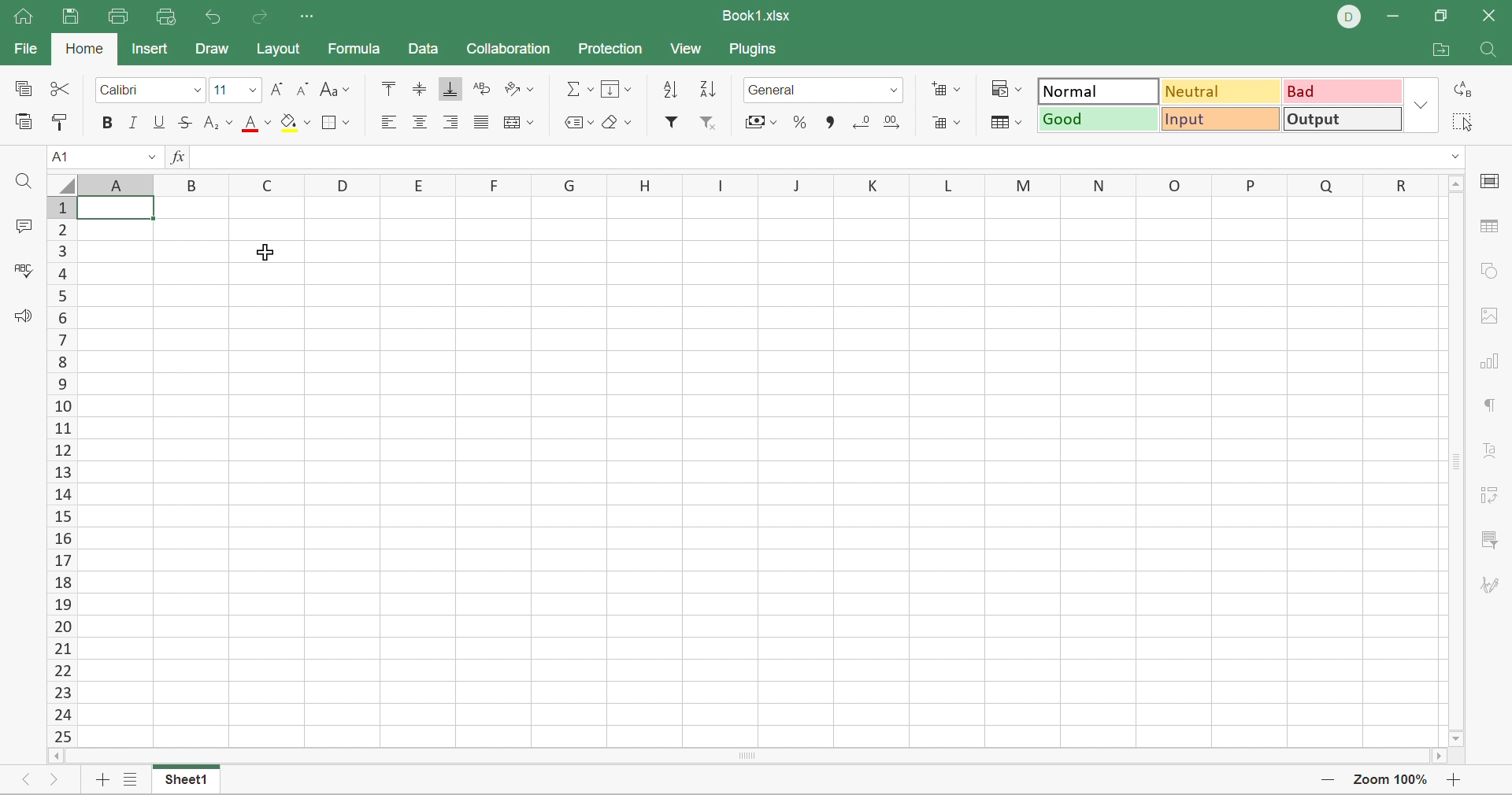 This screenshot has height=795, width=1512. I want to click on Add sheet, so click(101, 781).